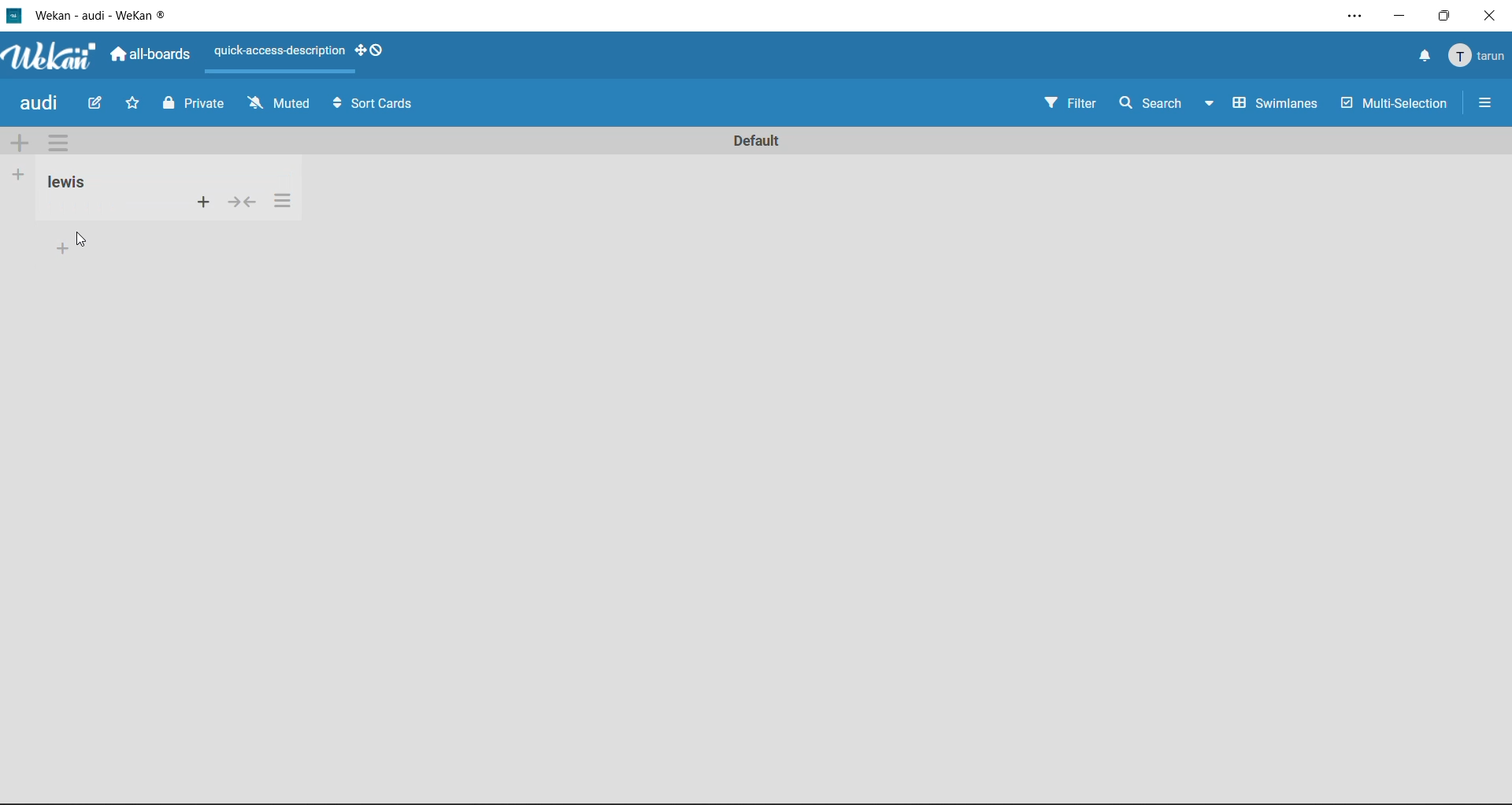 This screenshot has width=1512, height=805. Describe the element at coordinates (1347, 13) in the screenshot. I see `settings` at that location.